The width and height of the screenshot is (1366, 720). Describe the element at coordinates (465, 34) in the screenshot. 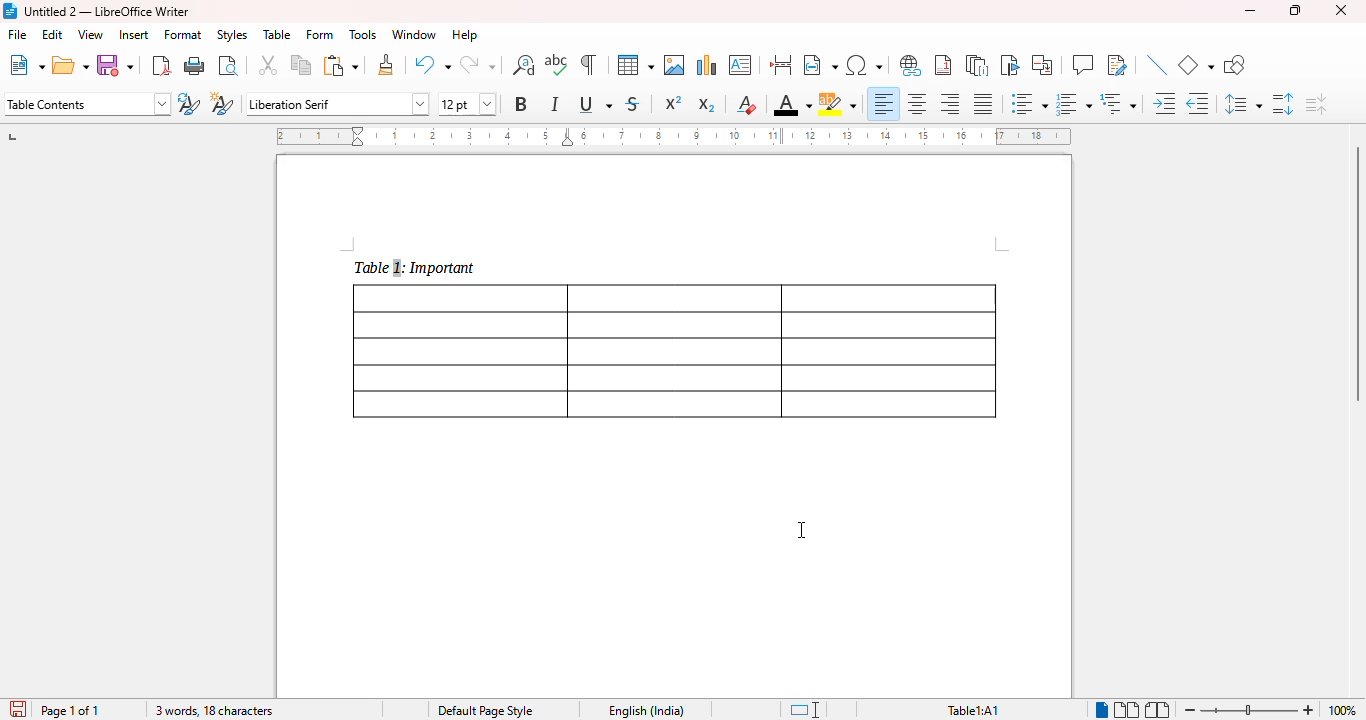

I see `help` at that location.